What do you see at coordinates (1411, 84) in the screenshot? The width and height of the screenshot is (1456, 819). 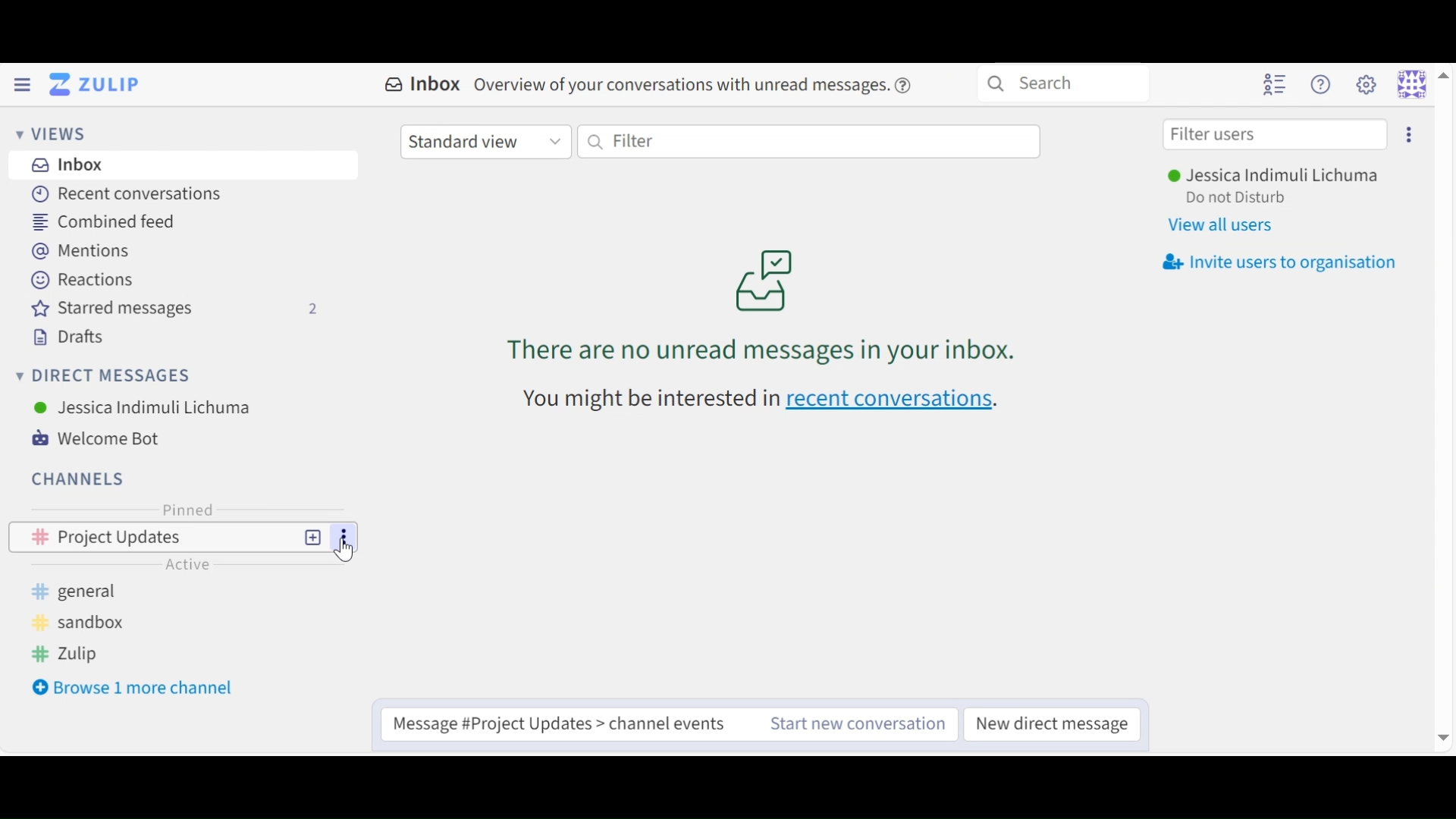 I see `Personal menu` at bounding box center [1411, 84].